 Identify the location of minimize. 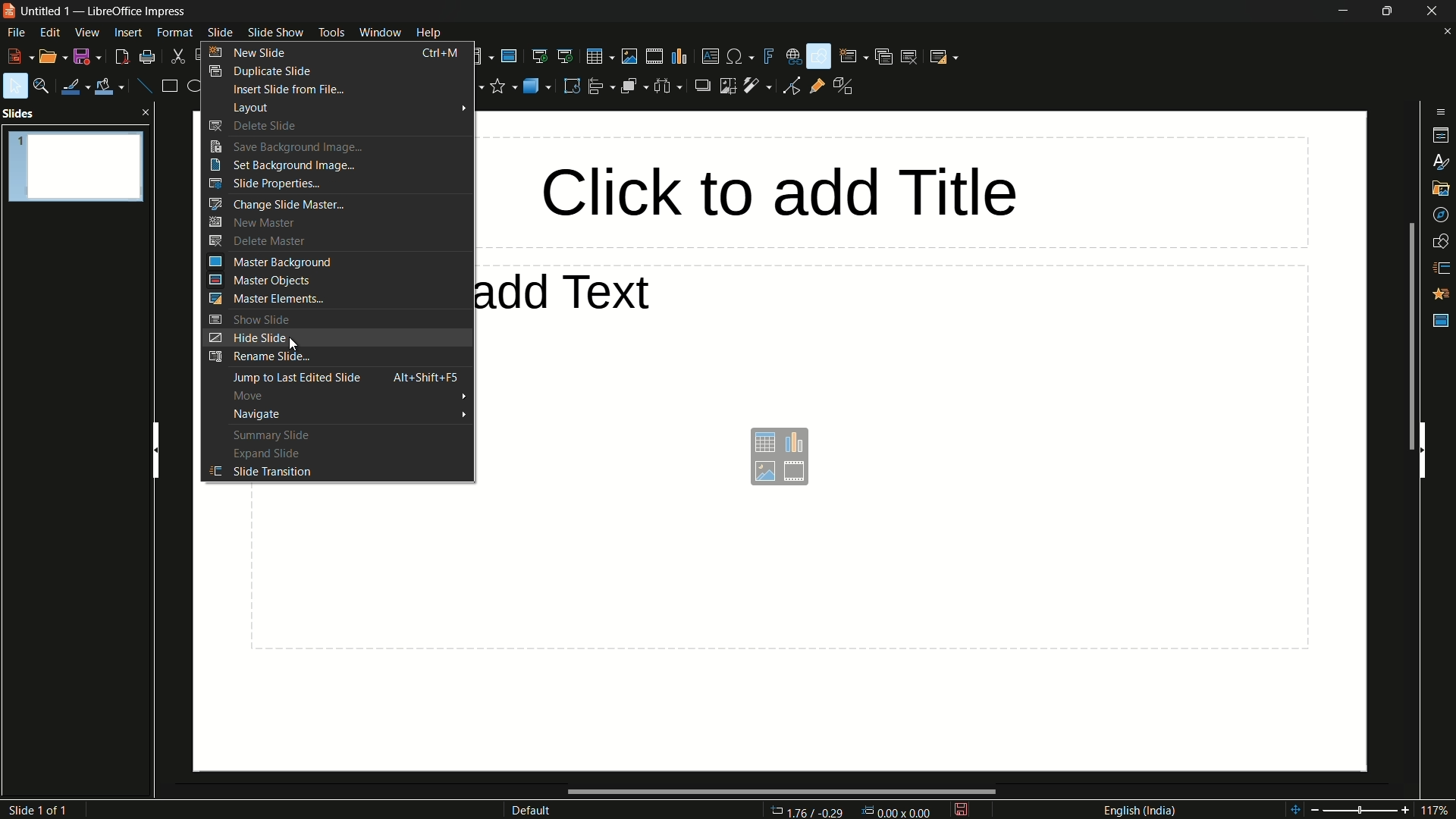
(1339, 11).